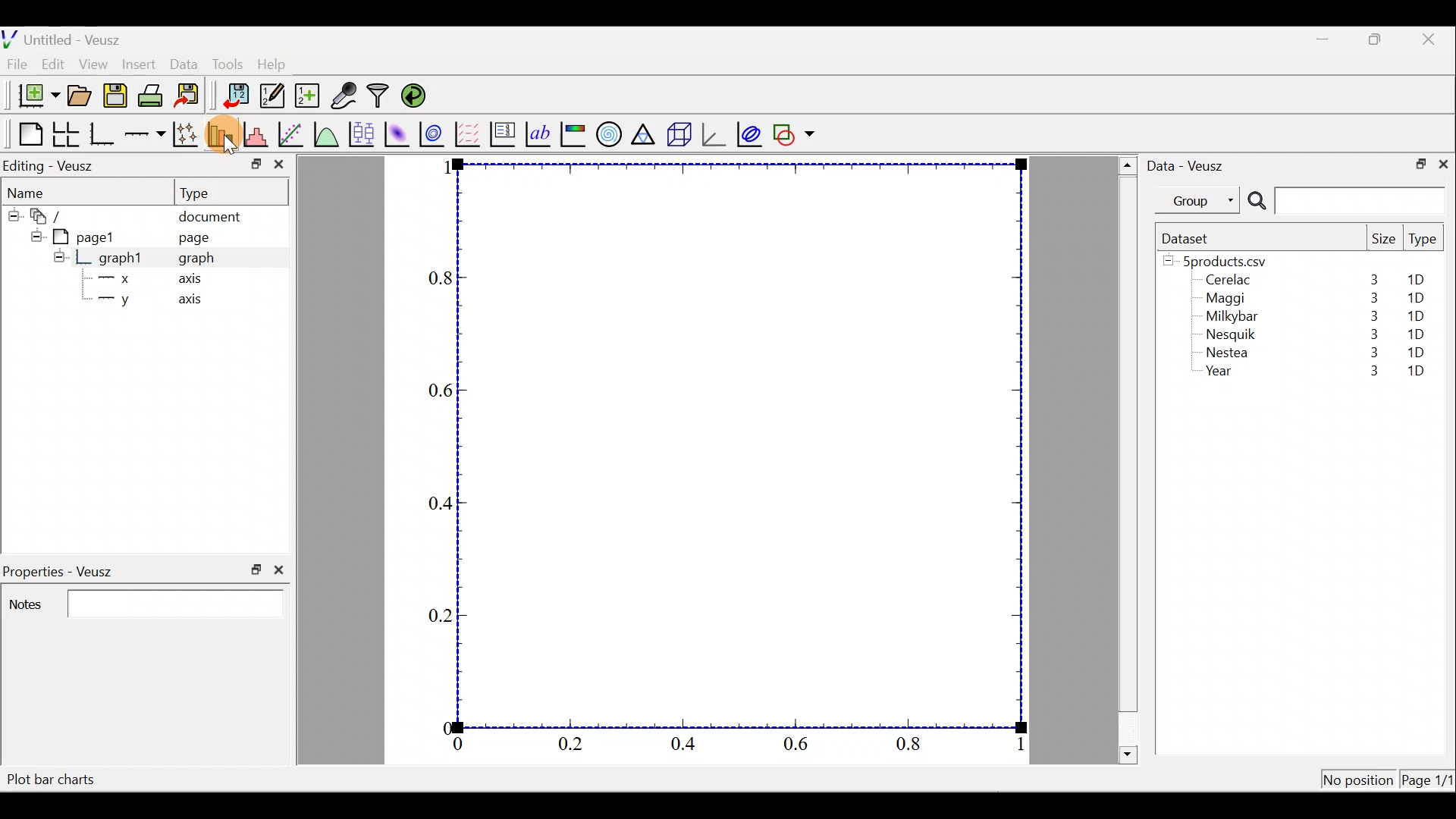 The height and width of the screenshot is (819, 1456). What do you see at coordinates (645, 132) in the screenshot?
I see `Ternary graph` at bounding box center [645, 132].